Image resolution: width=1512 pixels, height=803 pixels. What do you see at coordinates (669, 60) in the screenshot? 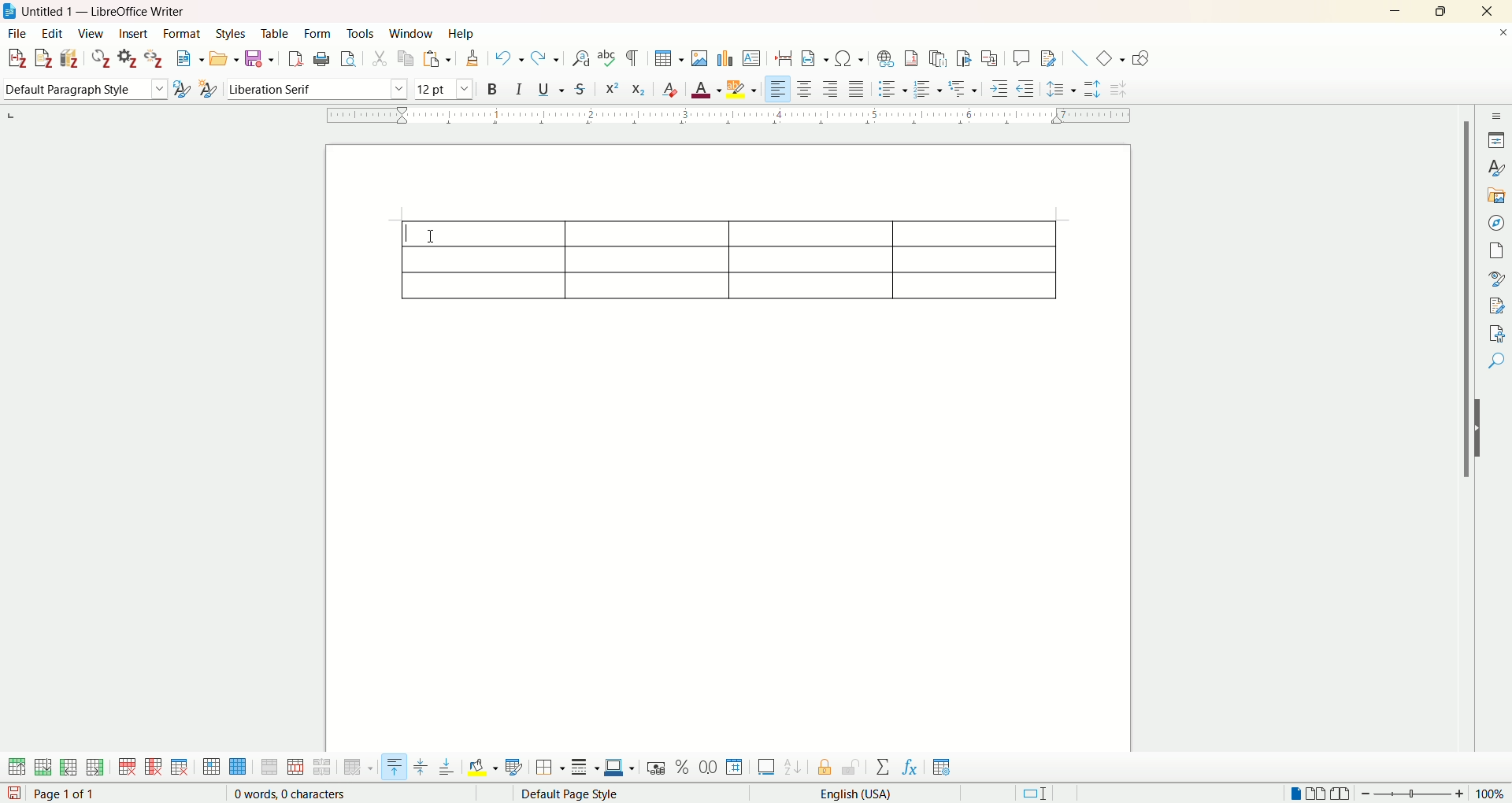
I see `insert table` at bounding box center [669, 60].